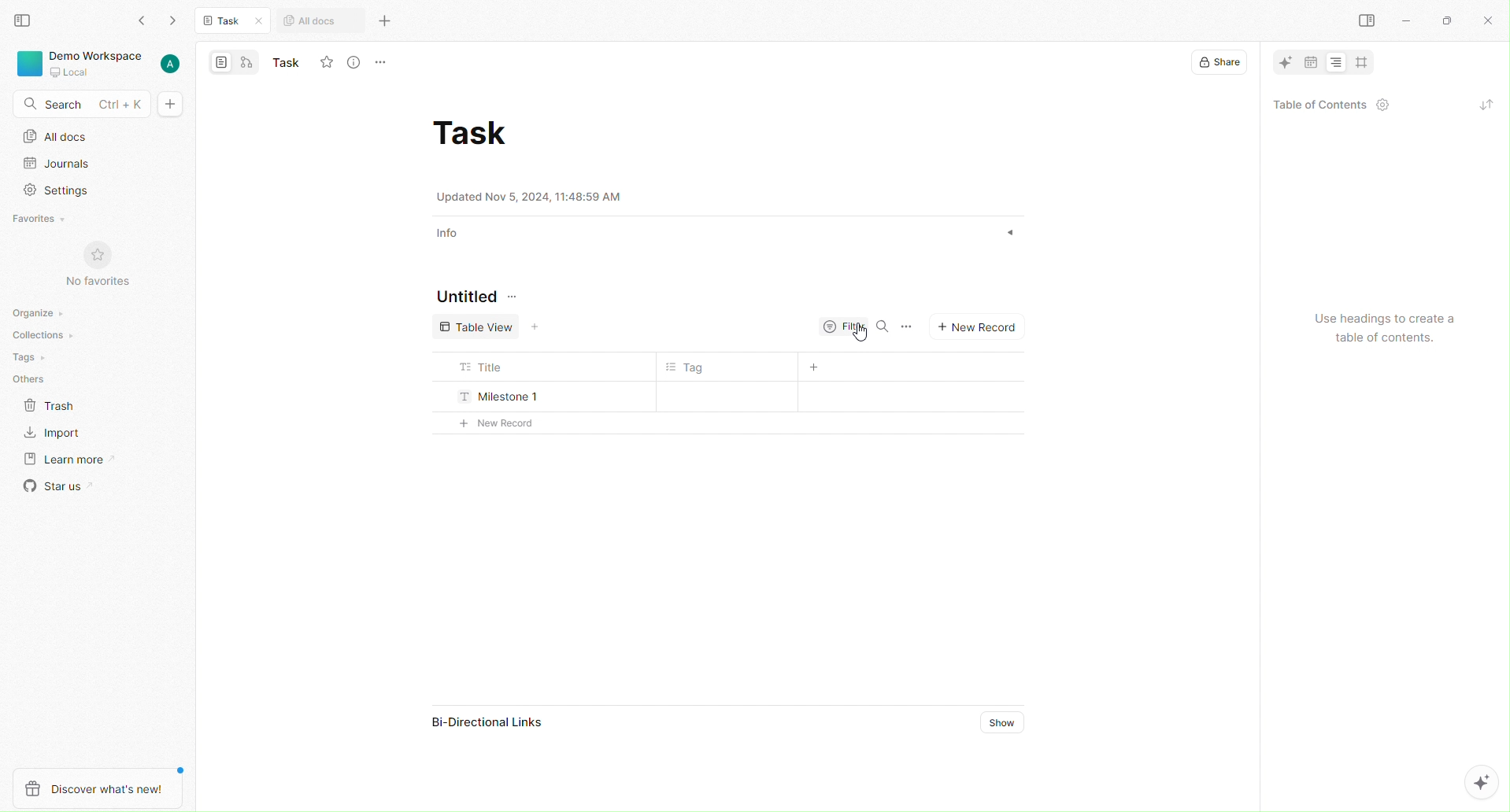 Image resolution: width=1510 pixels, height=812 pixels. I want to click on Share, so click(1219, 63).